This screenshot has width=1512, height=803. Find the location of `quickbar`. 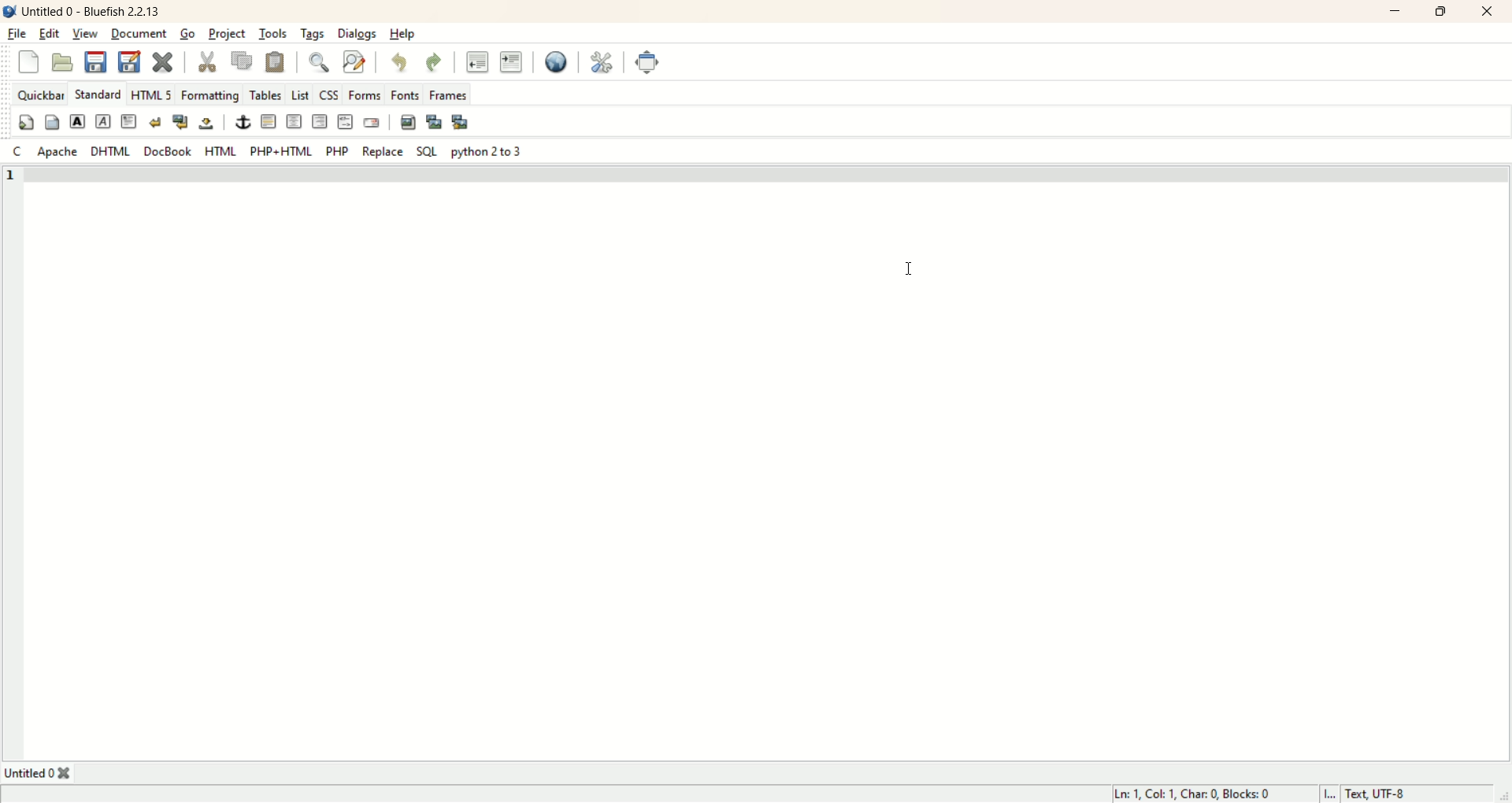

quickbar is located at coordinates (39, 96).